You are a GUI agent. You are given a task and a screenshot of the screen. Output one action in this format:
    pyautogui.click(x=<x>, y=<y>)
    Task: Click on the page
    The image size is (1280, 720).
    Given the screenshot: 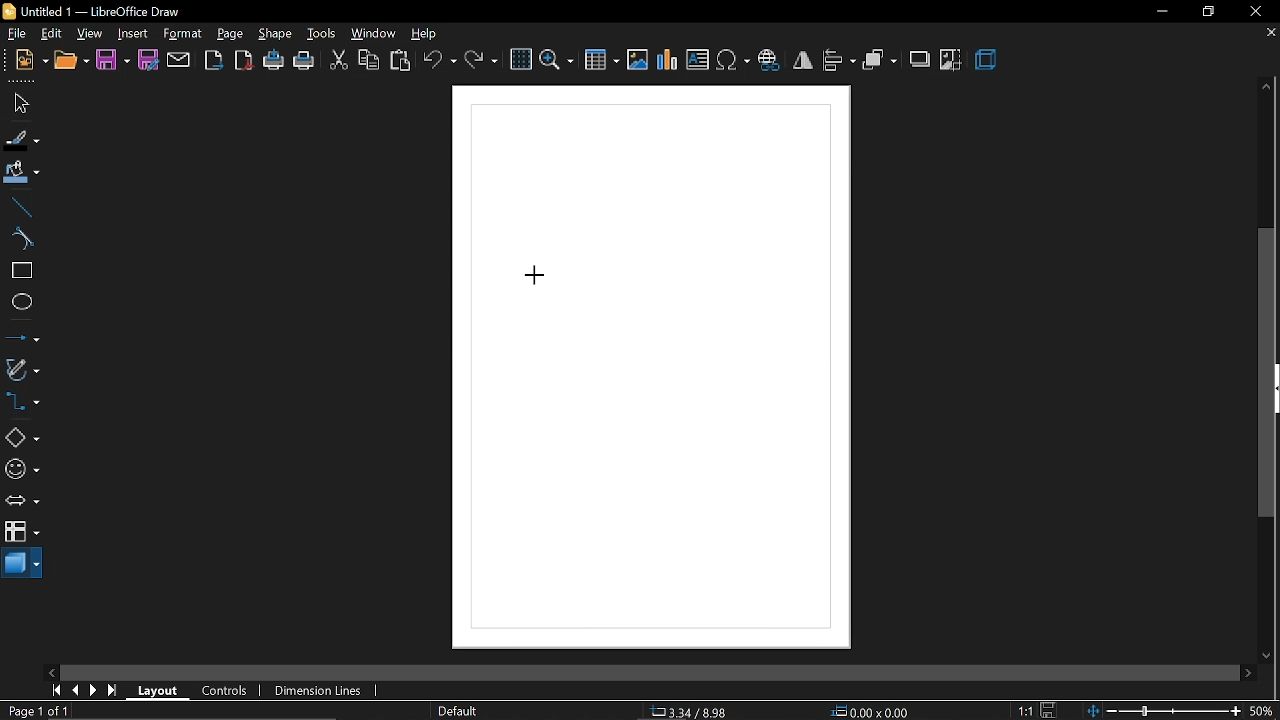 What is the action you would take?
    pyautogui.click(x=232, y=36)
    